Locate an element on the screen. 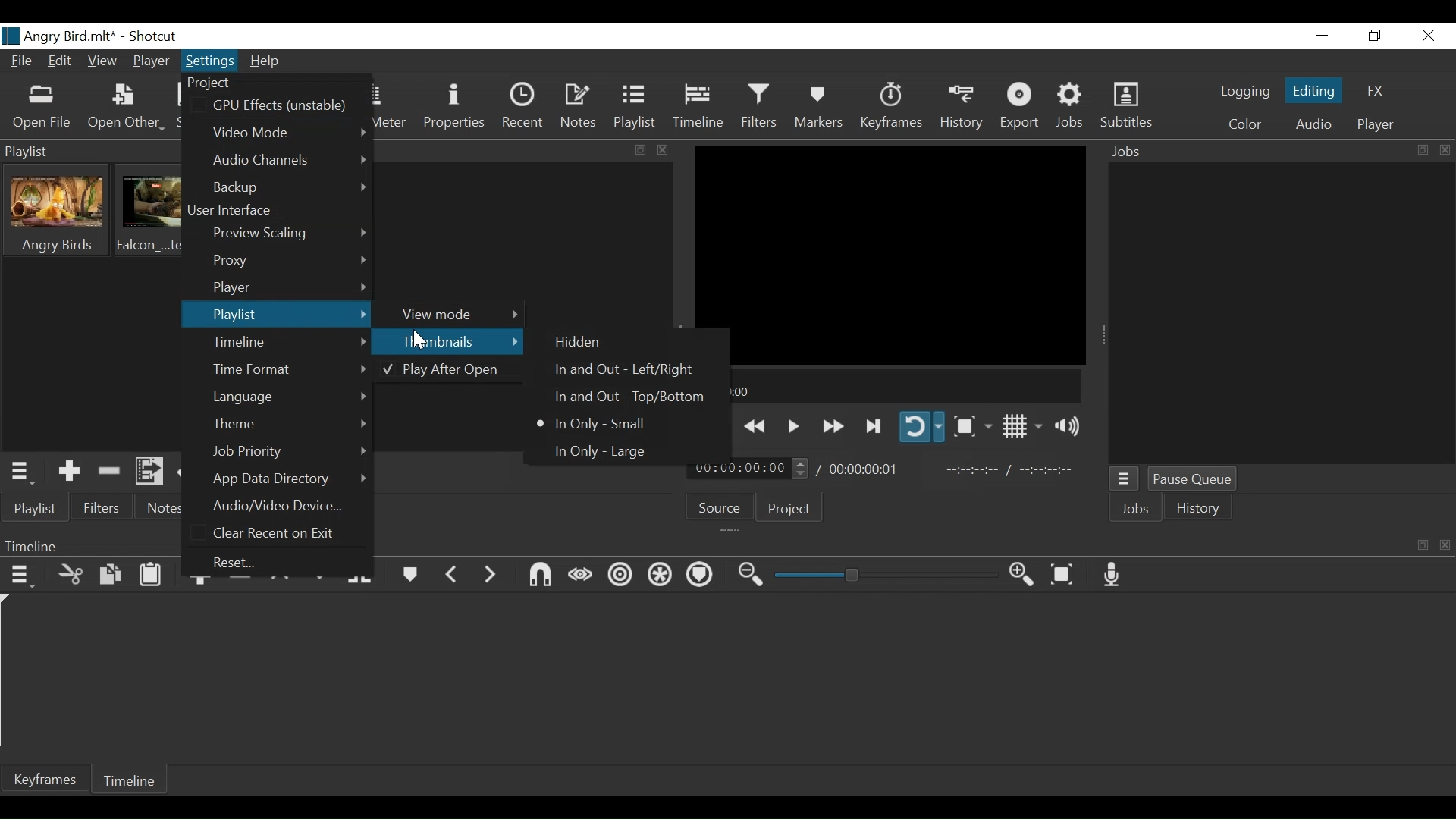  Backup is located at coordinates (292, 188).